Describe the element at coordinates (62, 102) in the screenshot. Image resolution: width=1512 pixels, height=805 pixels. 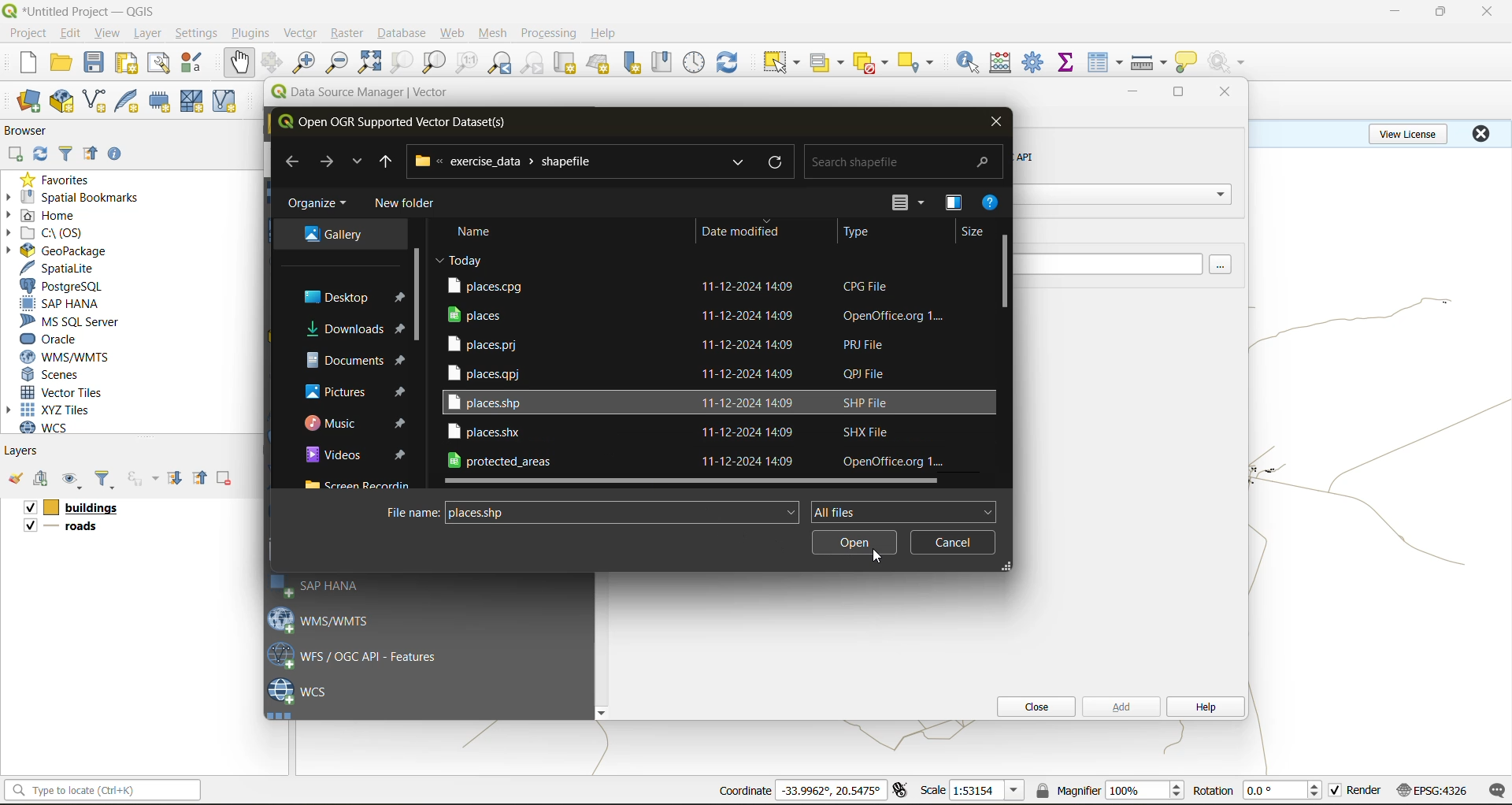
I see `new geopackage layer` at that location.